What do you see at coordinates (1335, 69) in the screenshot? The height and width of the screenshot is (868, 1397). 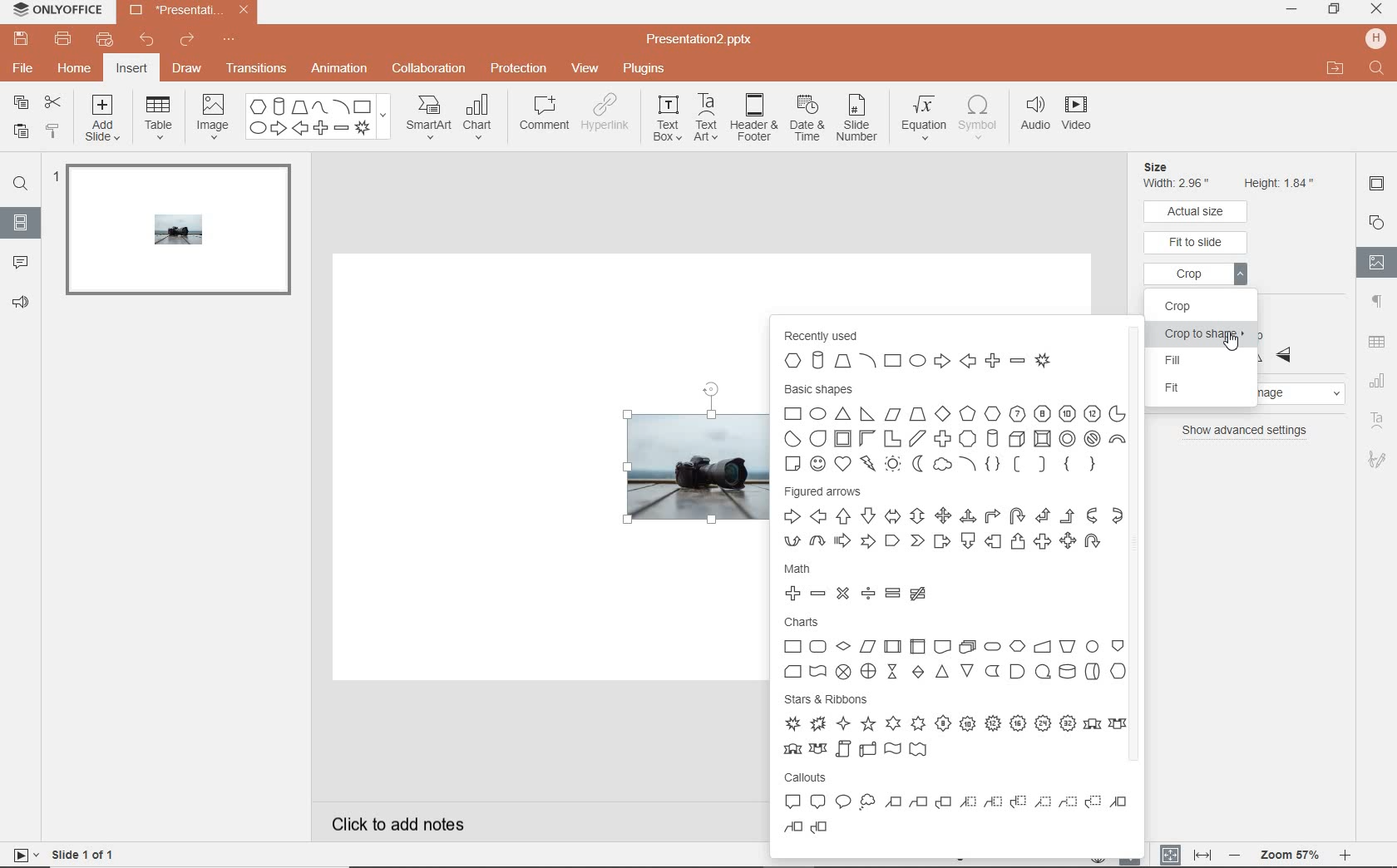 I see `open file location` at bounding box center [1335, 69].